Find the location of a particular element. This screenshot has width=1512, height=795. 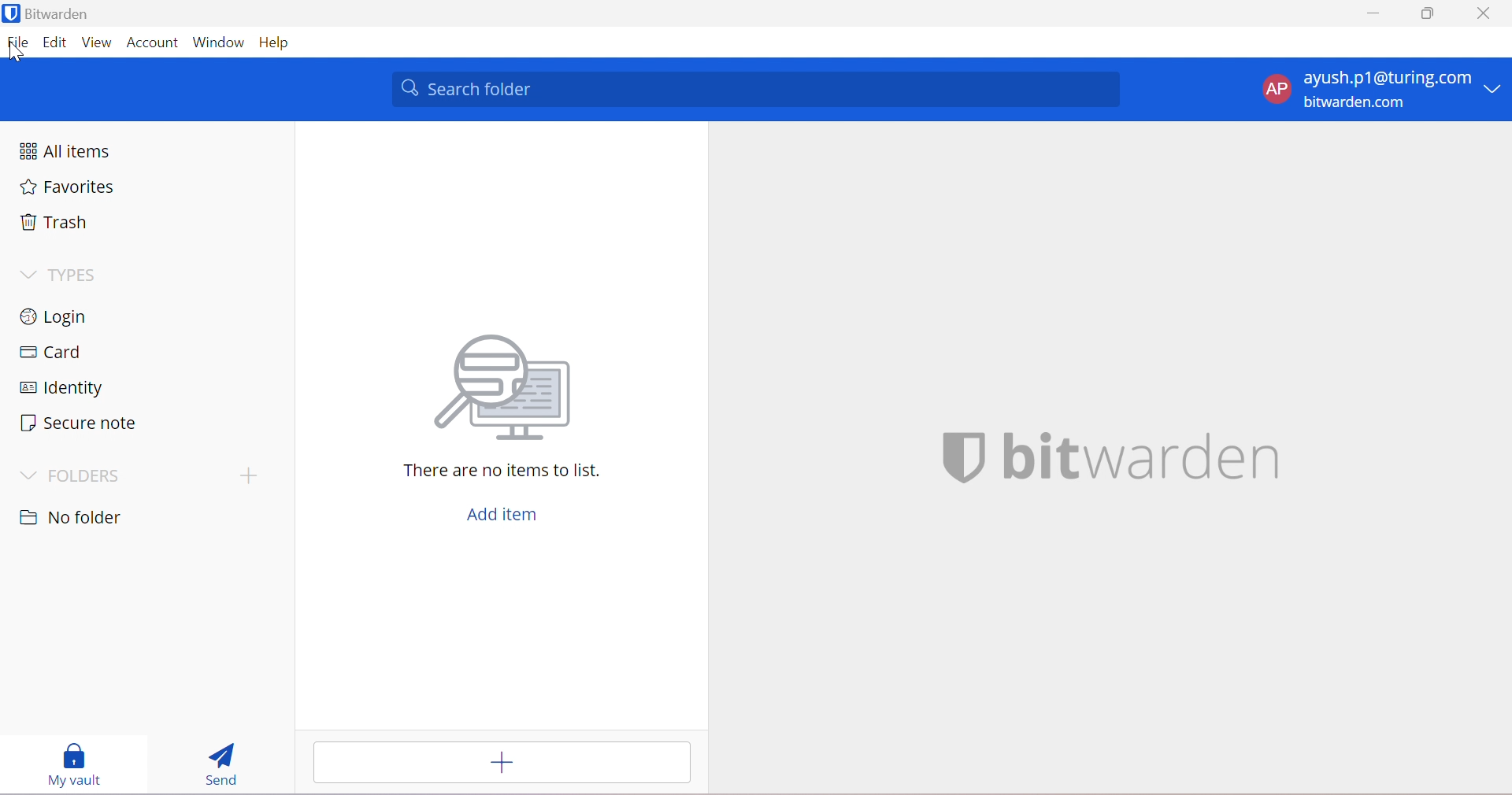

Identity is located at coordinates (61, 388).